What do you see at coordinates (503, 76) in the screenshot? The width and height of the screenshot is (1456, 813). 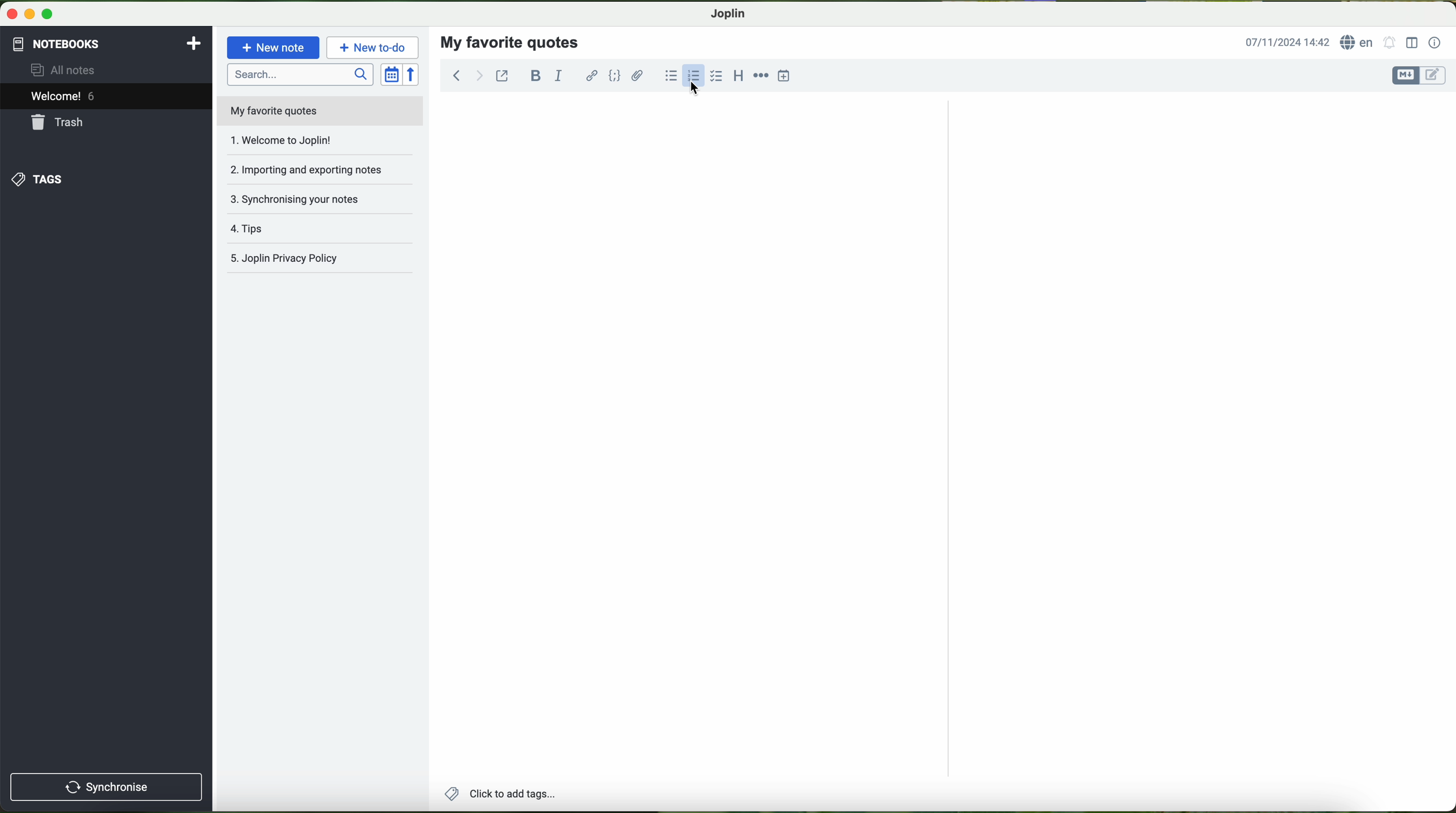 I see `toggle external editing` at bounding box center [503, 76].